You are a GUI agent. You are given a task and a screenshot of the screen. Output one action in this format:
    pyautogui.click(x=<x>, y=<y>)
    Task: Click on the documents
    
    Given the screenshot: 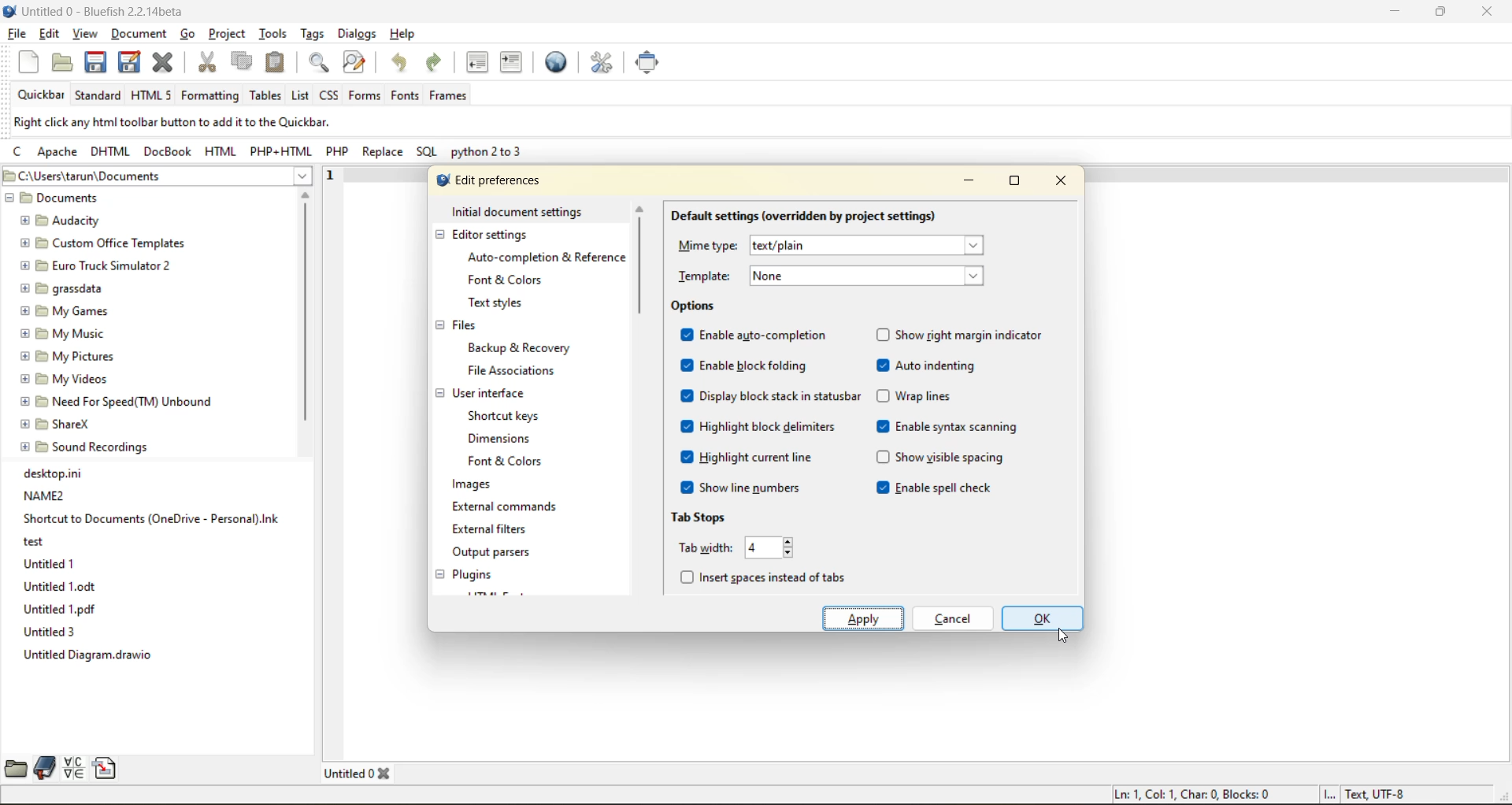 What is the action you would take?
    pyautogui.click(x=98, y=199)
    